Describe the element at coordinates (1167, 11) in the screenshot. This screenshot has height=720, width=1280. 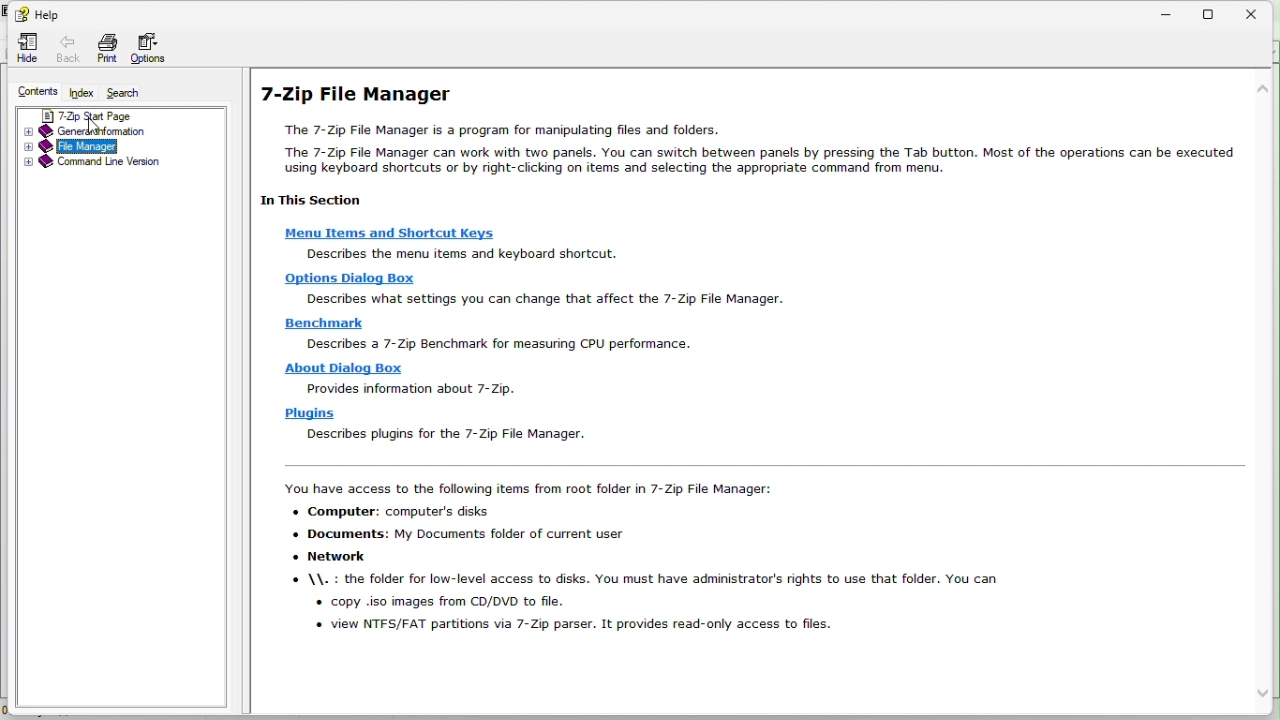
I see `minimize` at that location.